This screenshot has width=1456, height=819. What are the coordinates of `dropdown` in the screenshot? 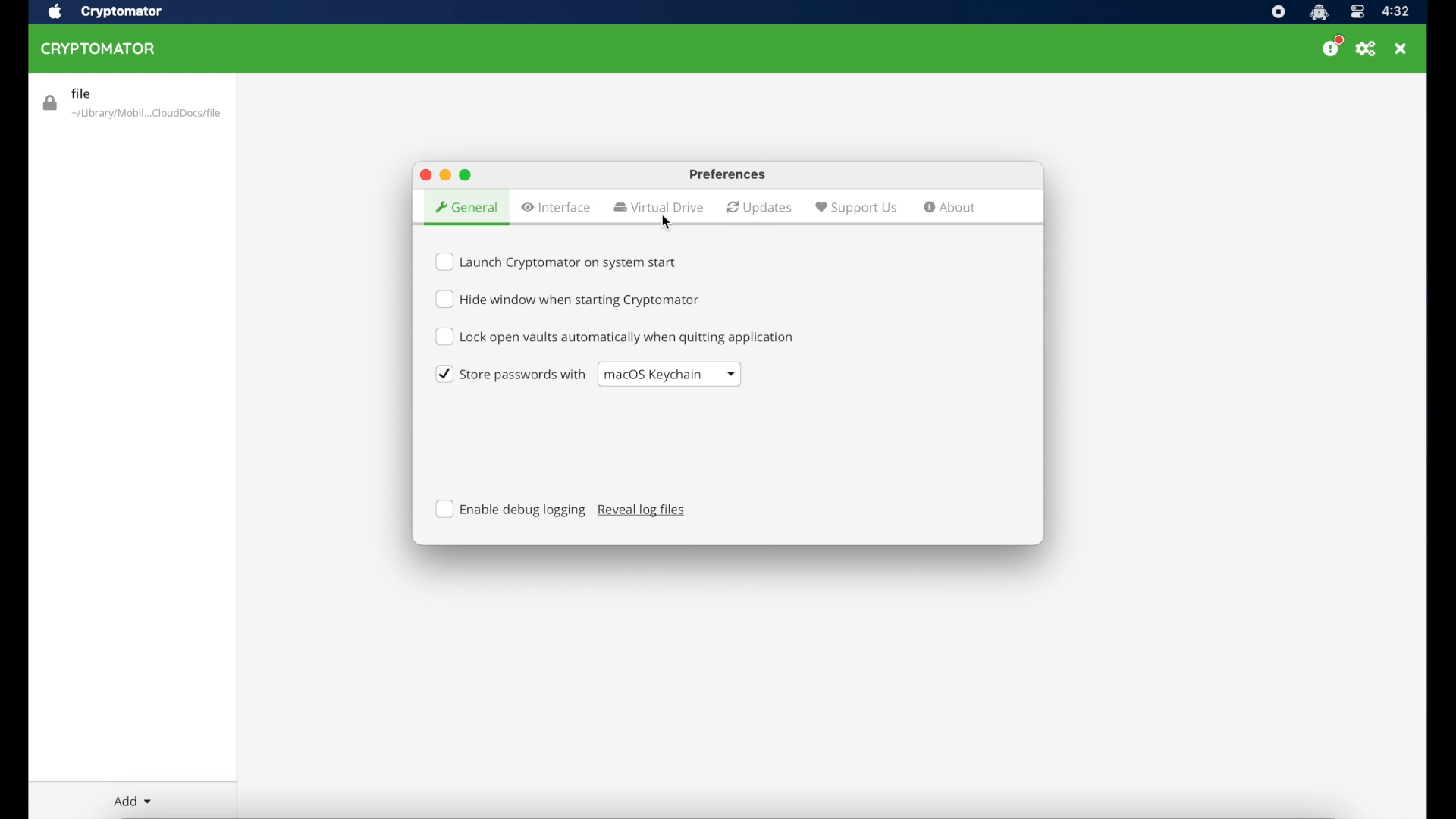 It's located at (669, 374).